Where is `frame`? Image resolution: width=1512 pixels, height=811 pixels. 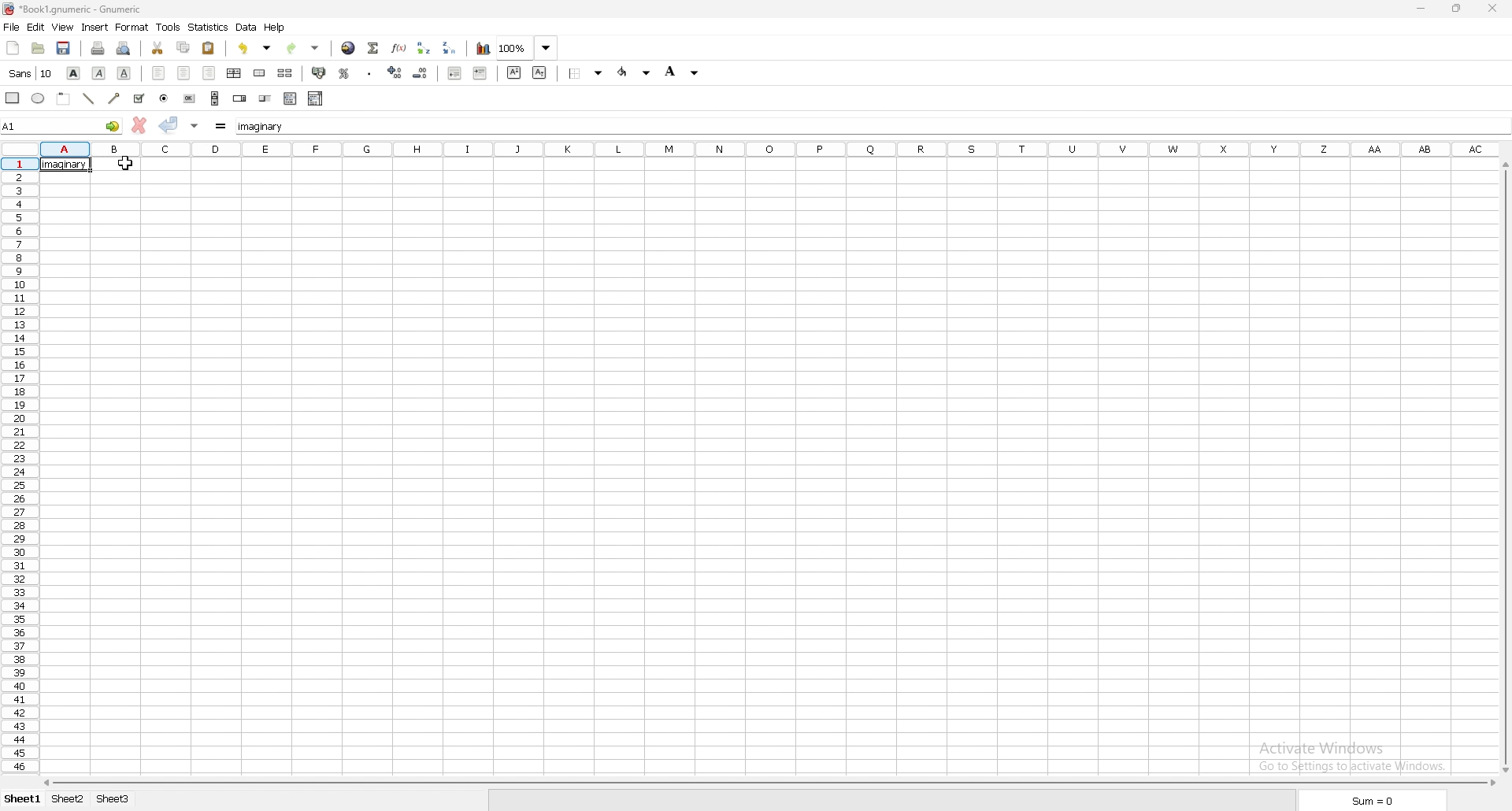
frame is located at coordinates (63, 98).